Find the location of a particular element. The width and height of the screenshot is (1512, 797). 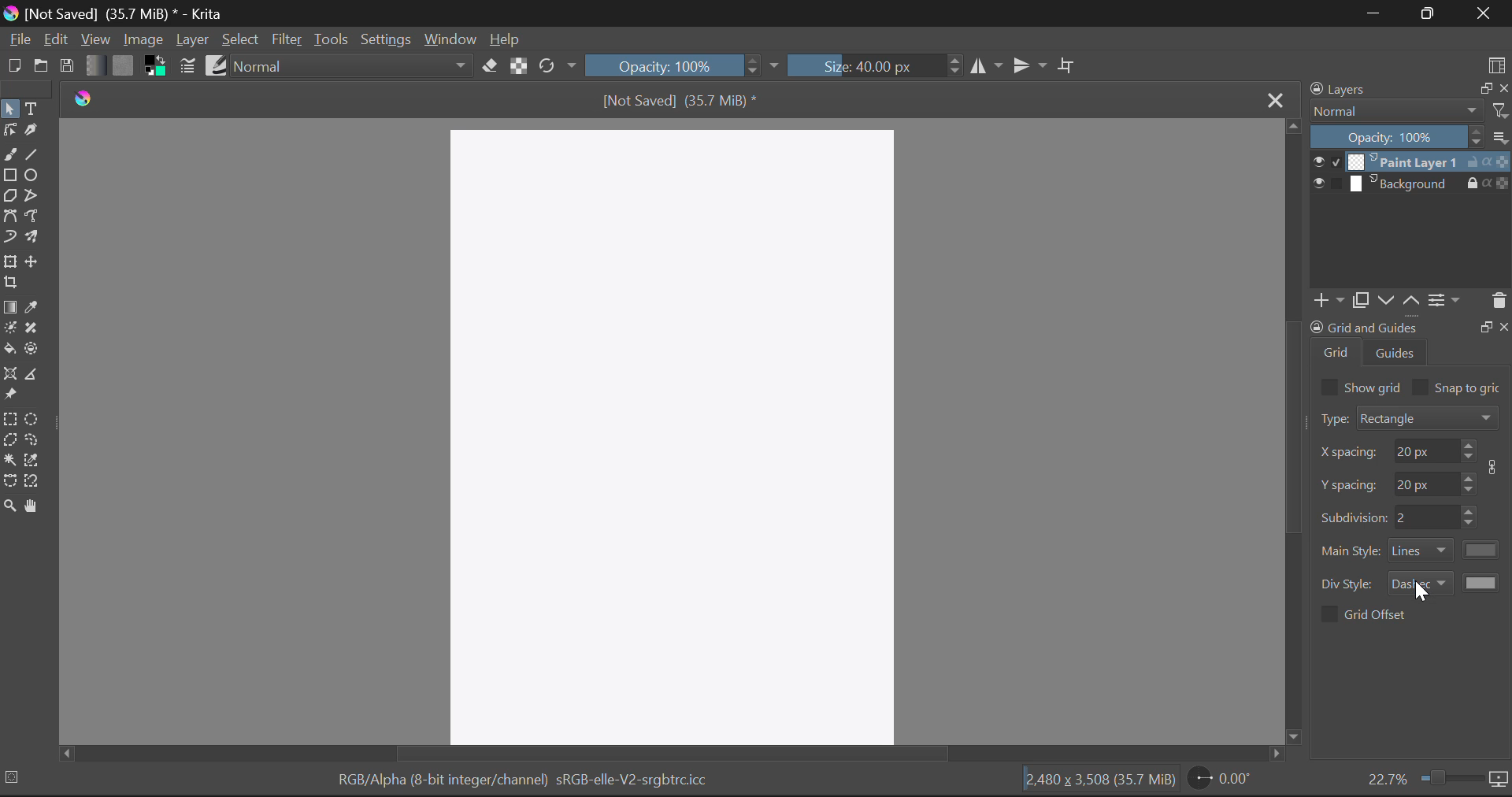

Settings is located at coordinates (386, 40).